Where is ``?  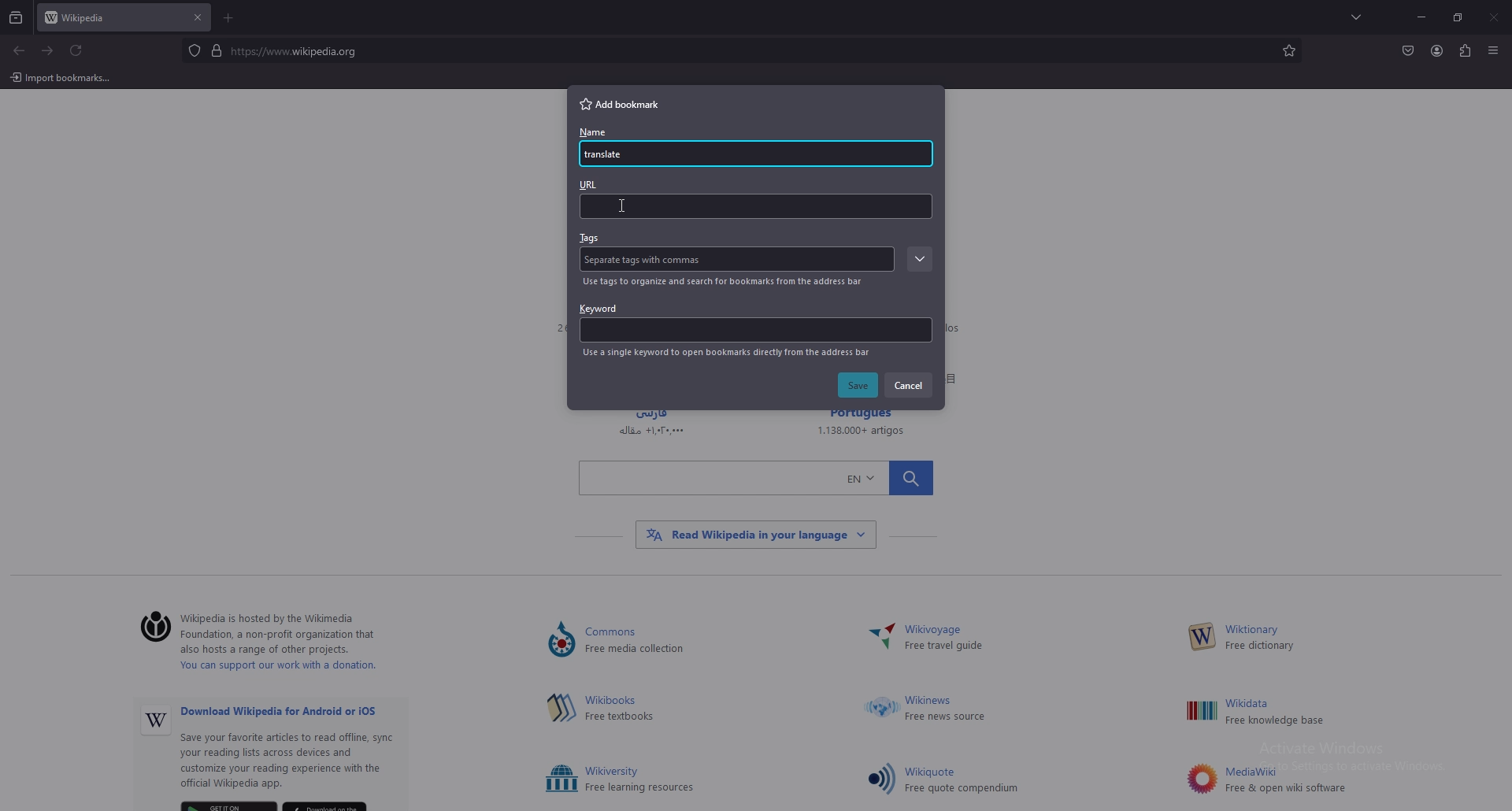  is located at coordinates (1200, 711).